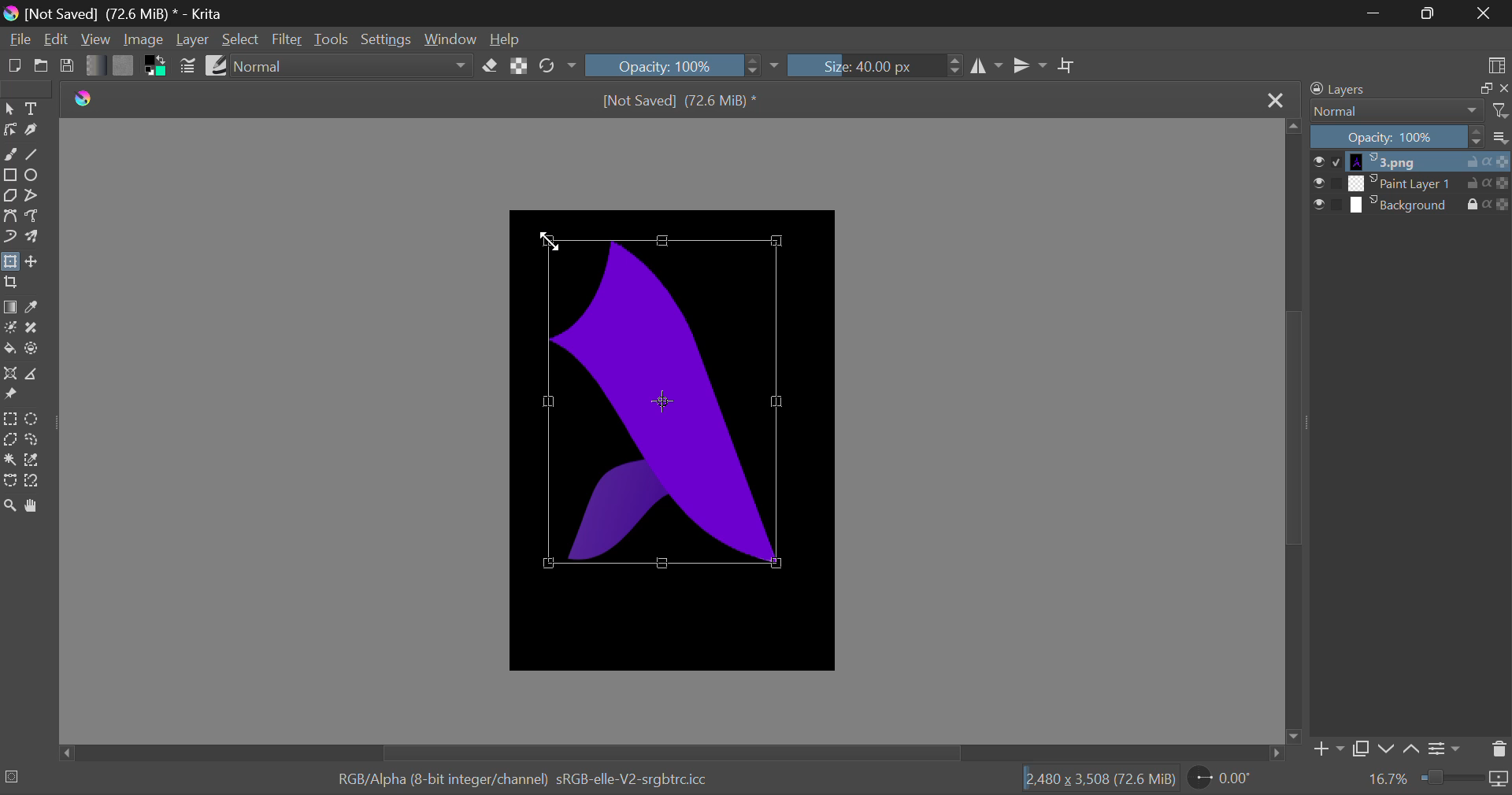 The height and width of the screenshot is (795, 1512). What do you see at coordinates (58, 39) in the screenshot?
I see `Edit` at bounding box center [58, 39].